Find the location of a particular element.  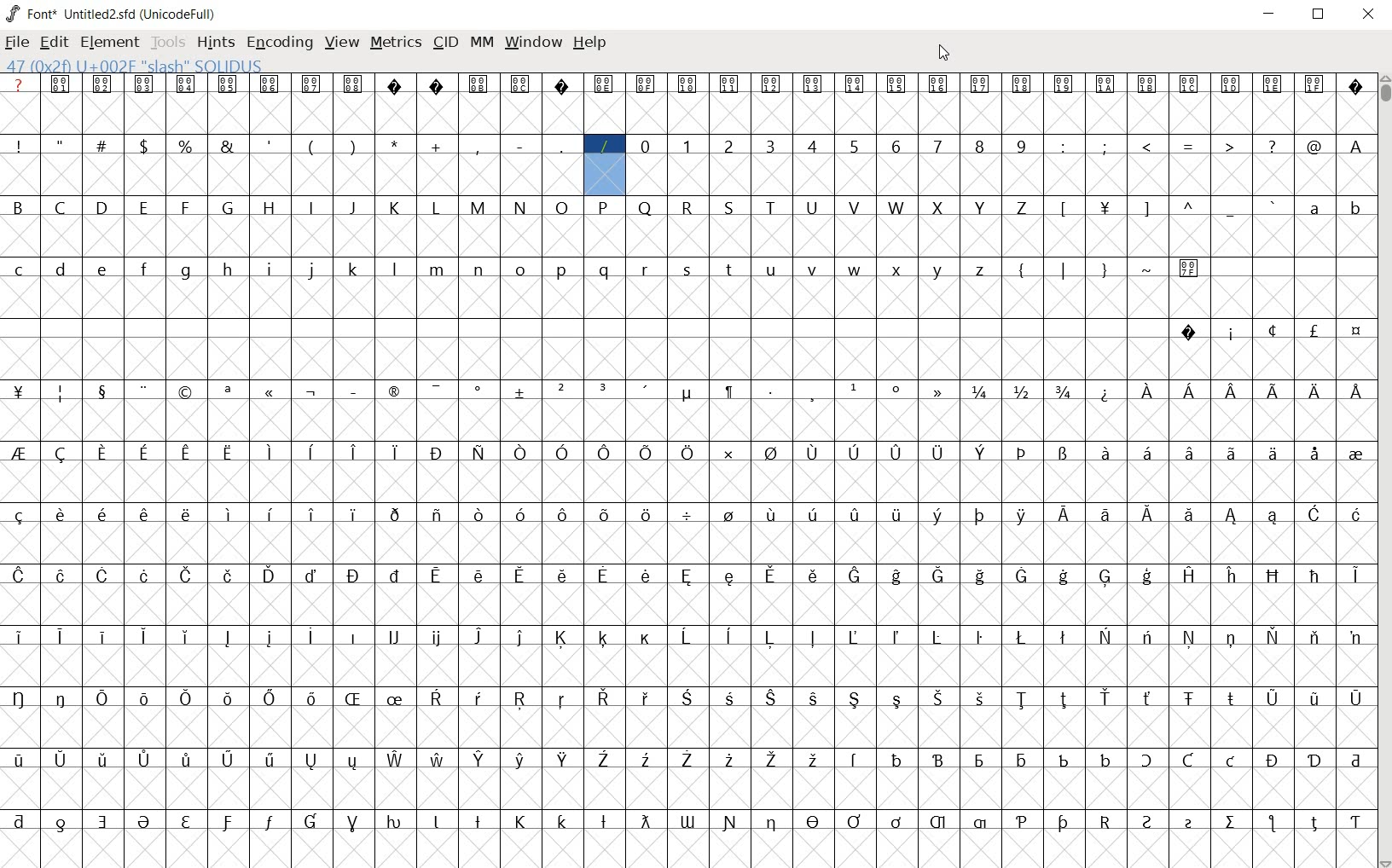

glyph is located at coordinates (1317, 392).